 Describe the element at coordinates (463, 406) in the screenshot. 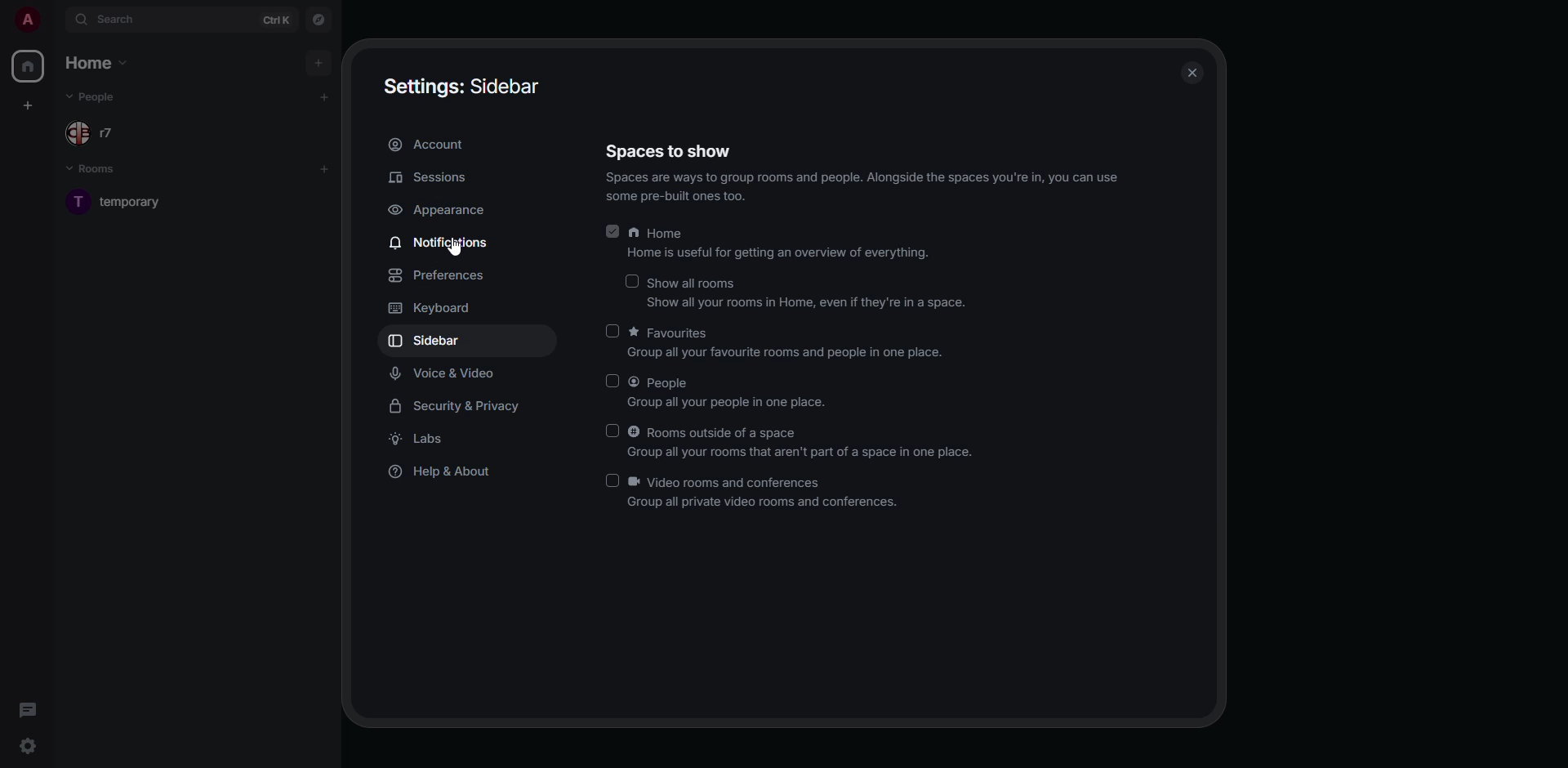

I see `security & privacy` at that location.